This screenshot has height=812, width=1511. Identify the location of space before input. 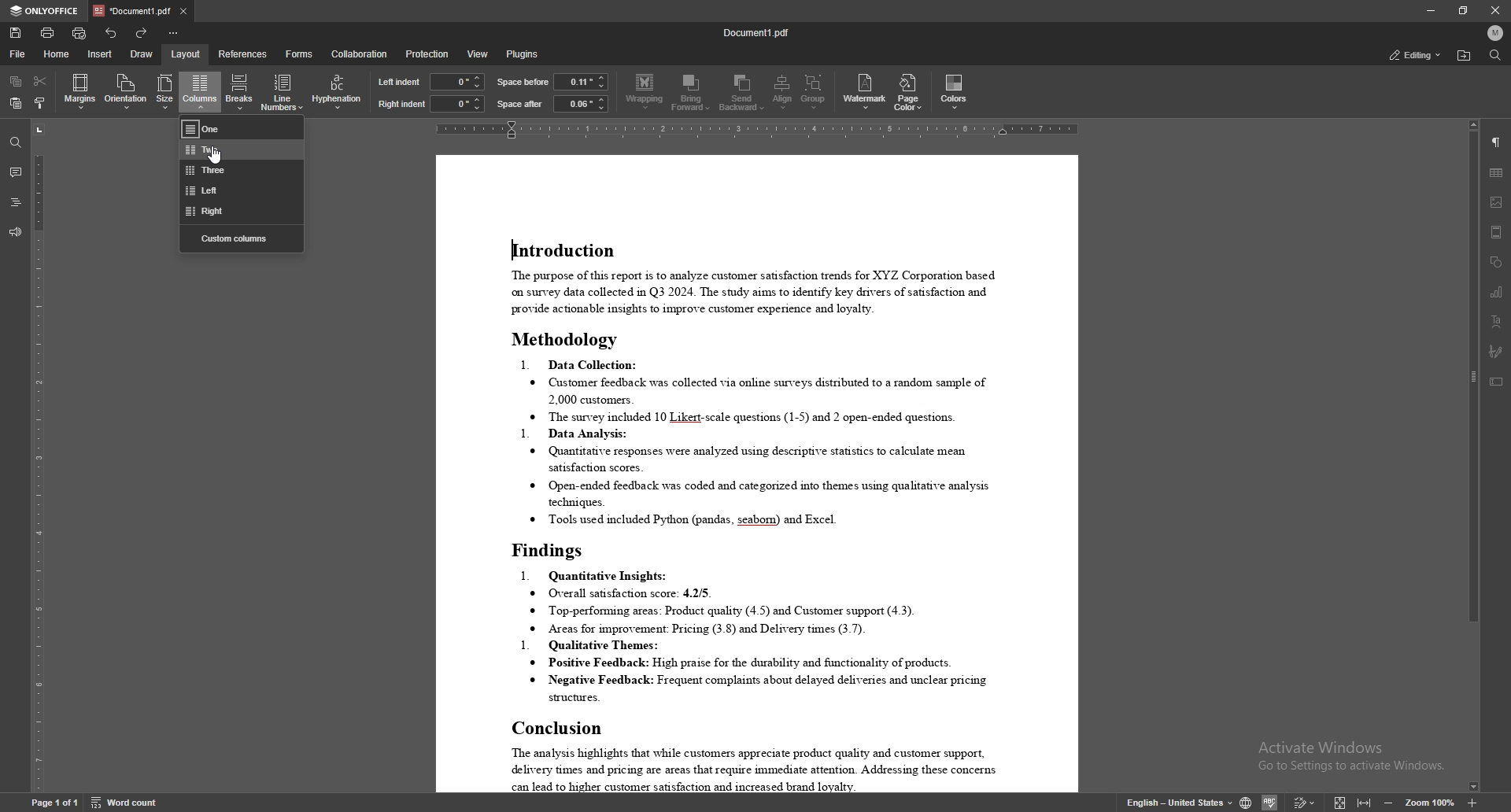
(582, 81).